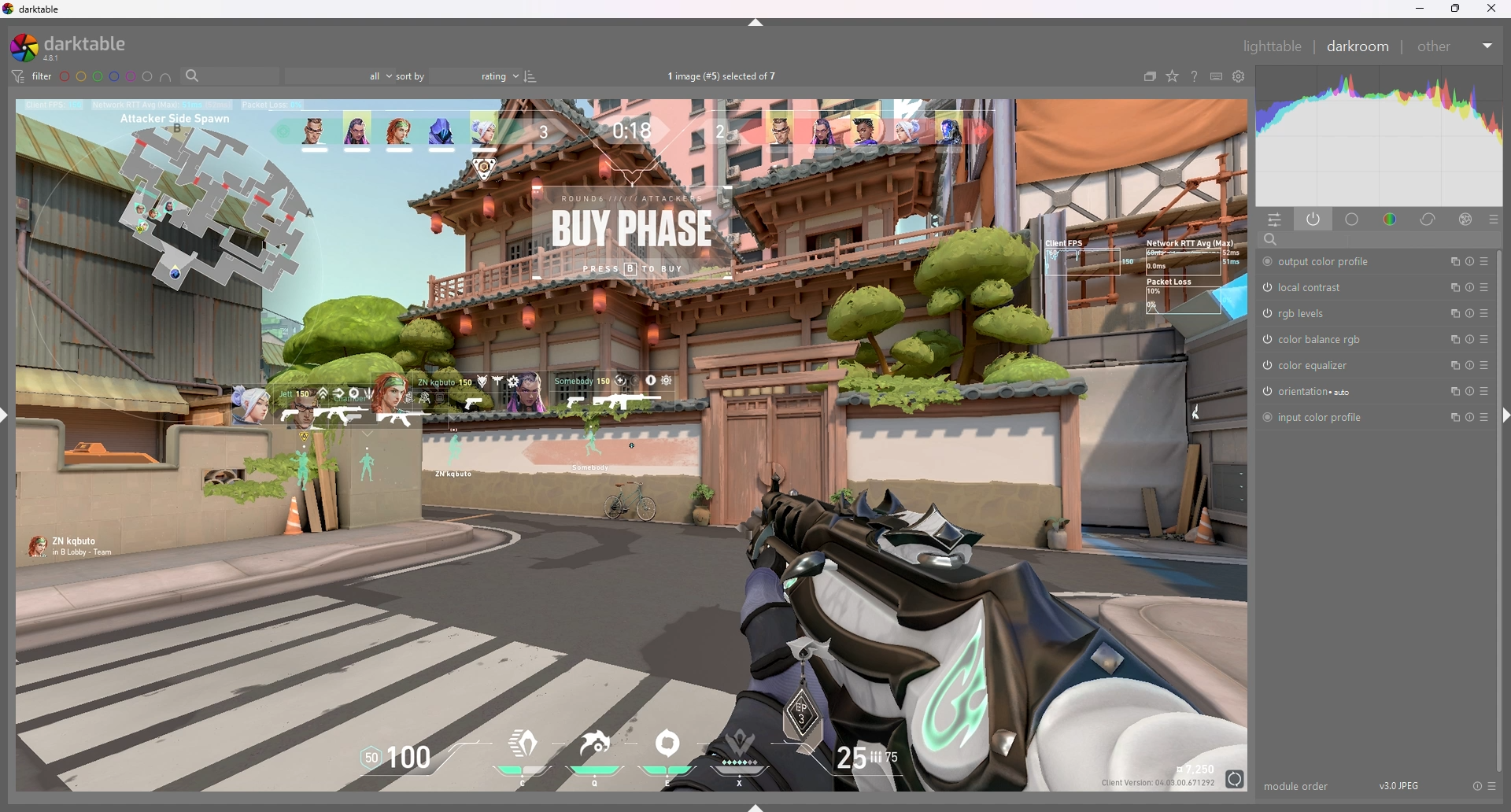 The height and width of the screenshot is (812, 1511). Describe the element at coordinates (1314, 339) in the screenshot. I see `color balance rgb` at that location.